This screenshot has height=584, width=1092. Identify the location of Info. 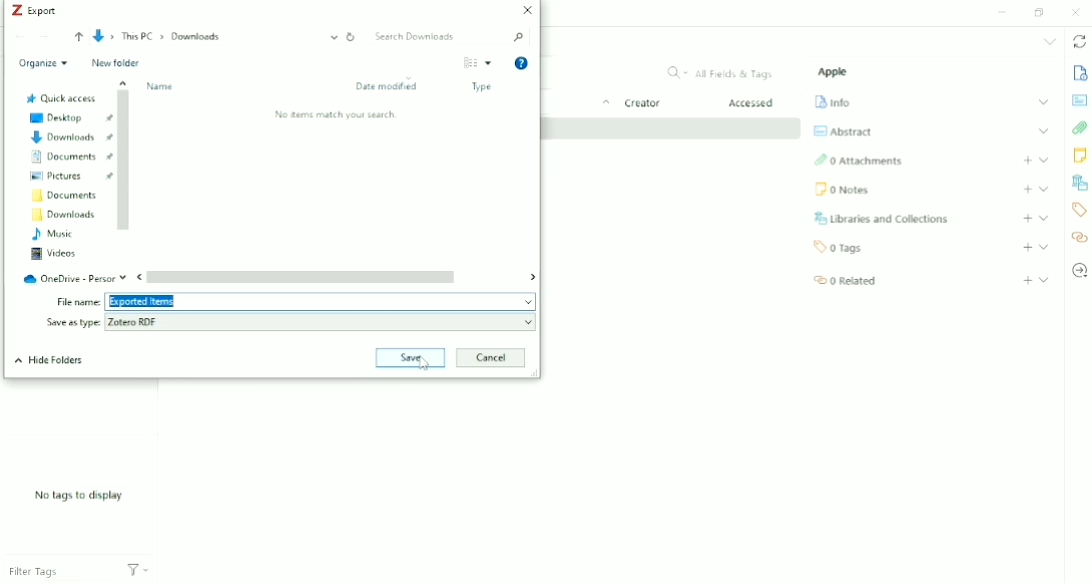
(1080, 74).